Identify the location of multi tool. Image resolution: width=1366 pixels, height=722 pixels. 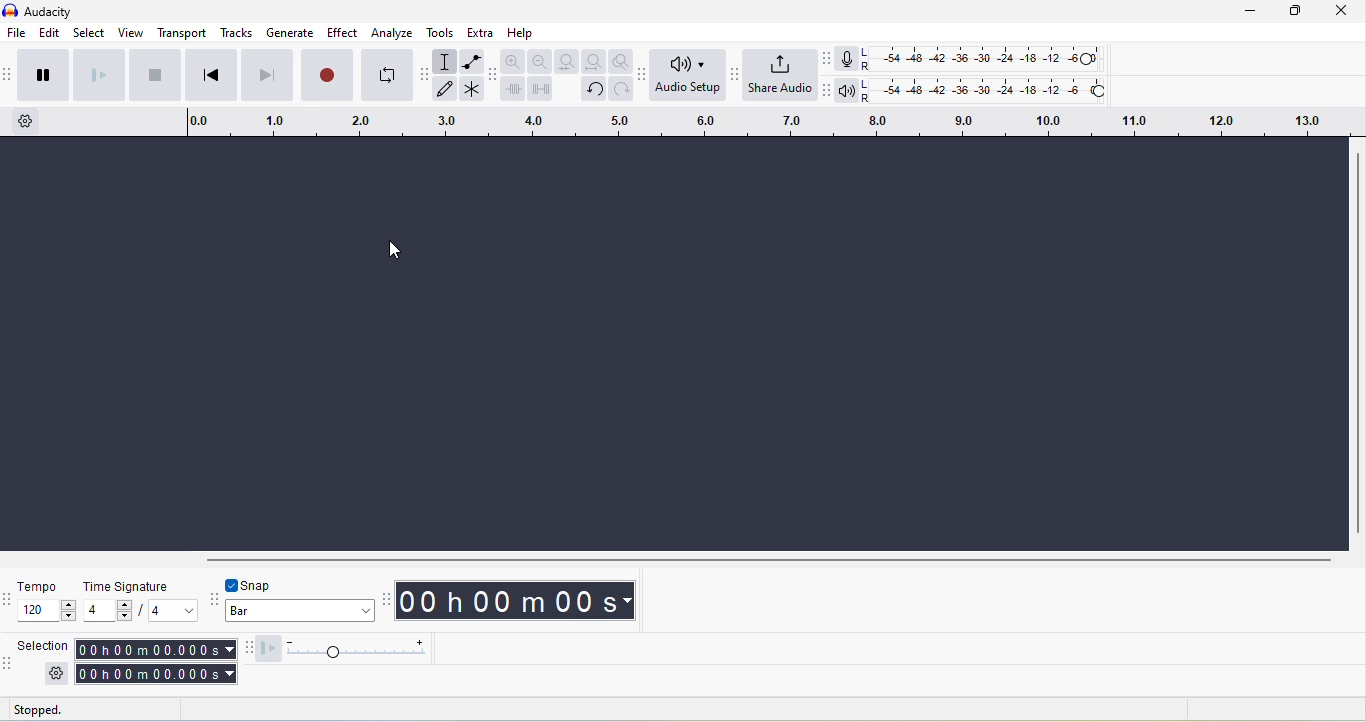
(473, 88).